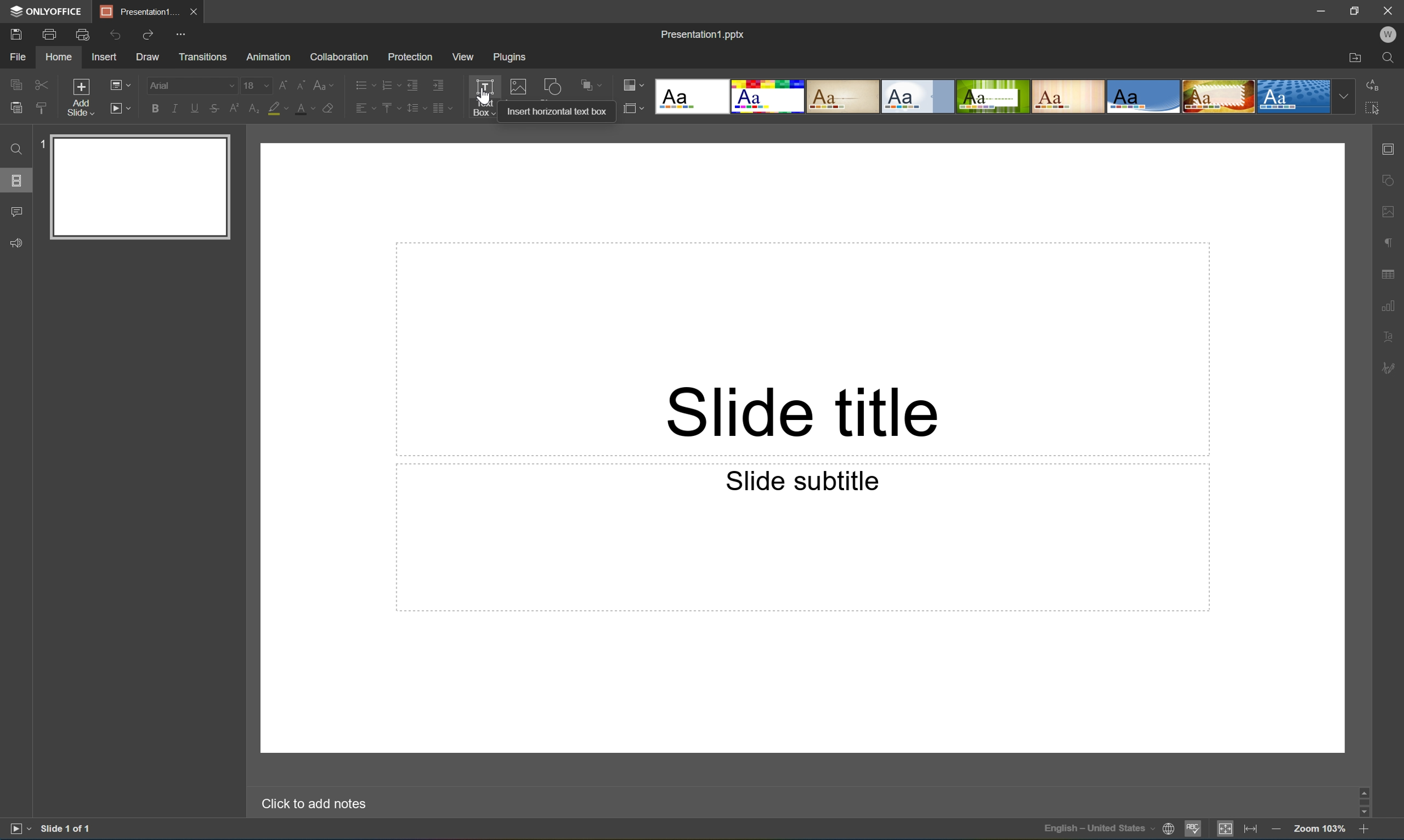  Describe the element at coordinates (16, 84) in the screenshot. I see `Copy` at that location.